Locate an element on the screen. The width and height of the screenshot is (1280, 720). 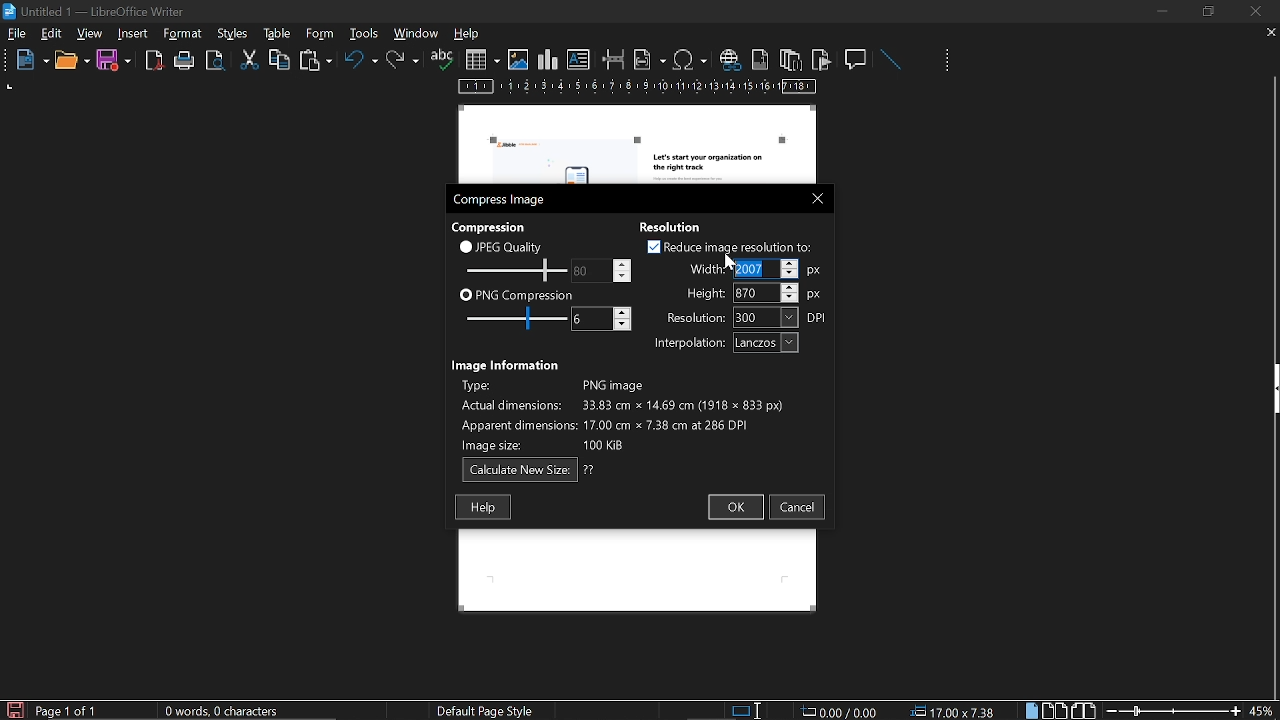
insert comment is located at coordinates (857, 58).